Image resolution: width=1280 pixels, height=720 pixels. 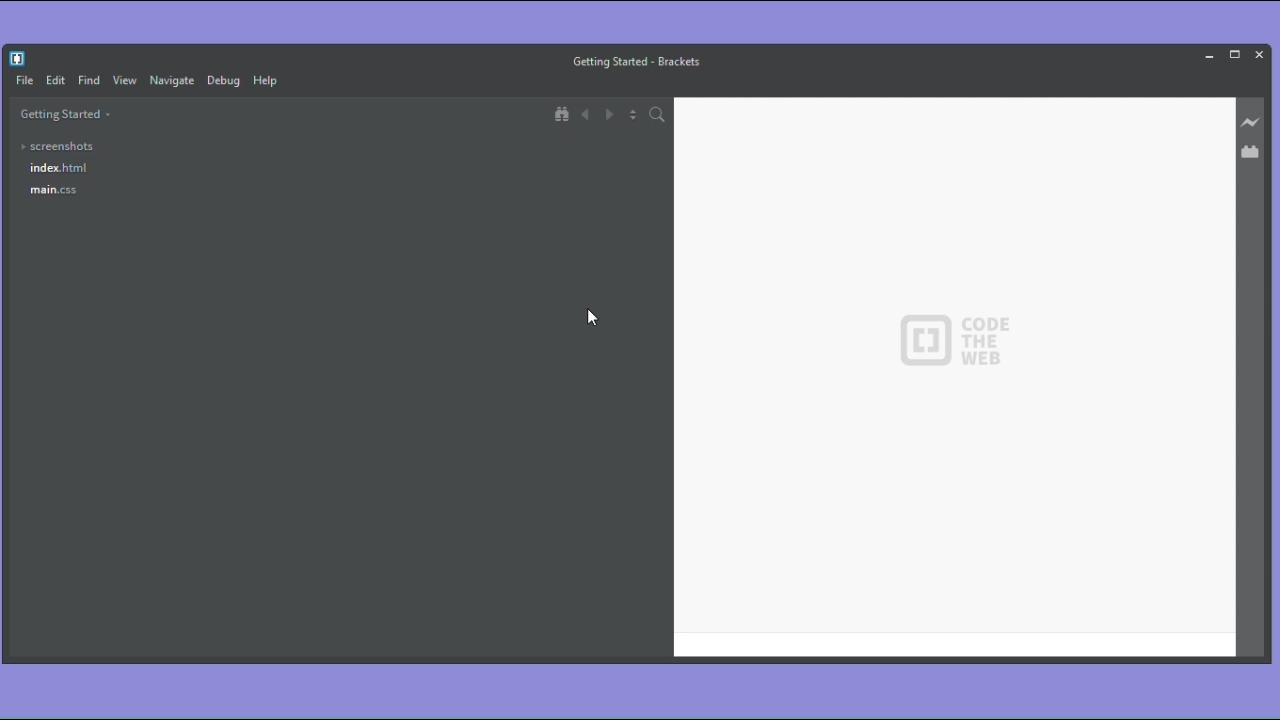 What do you see at coordinates (60, 146) in the screenshot?
I see `screenshots` at bounding box center [60, 146].